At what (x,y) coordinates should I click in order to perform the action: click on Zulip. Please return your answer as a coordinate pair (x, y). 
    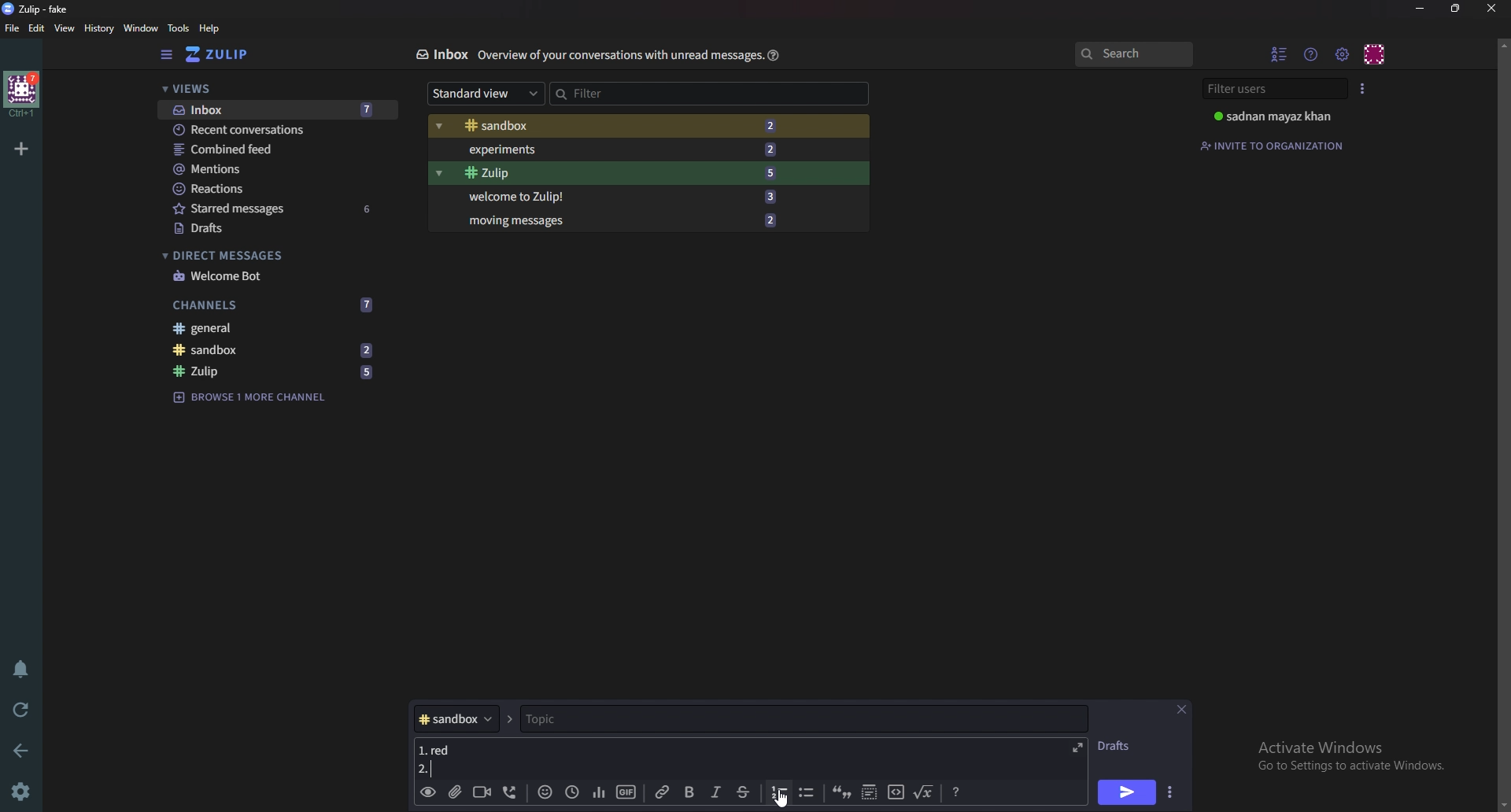
    Looking at the image, I should click on (616, 173).